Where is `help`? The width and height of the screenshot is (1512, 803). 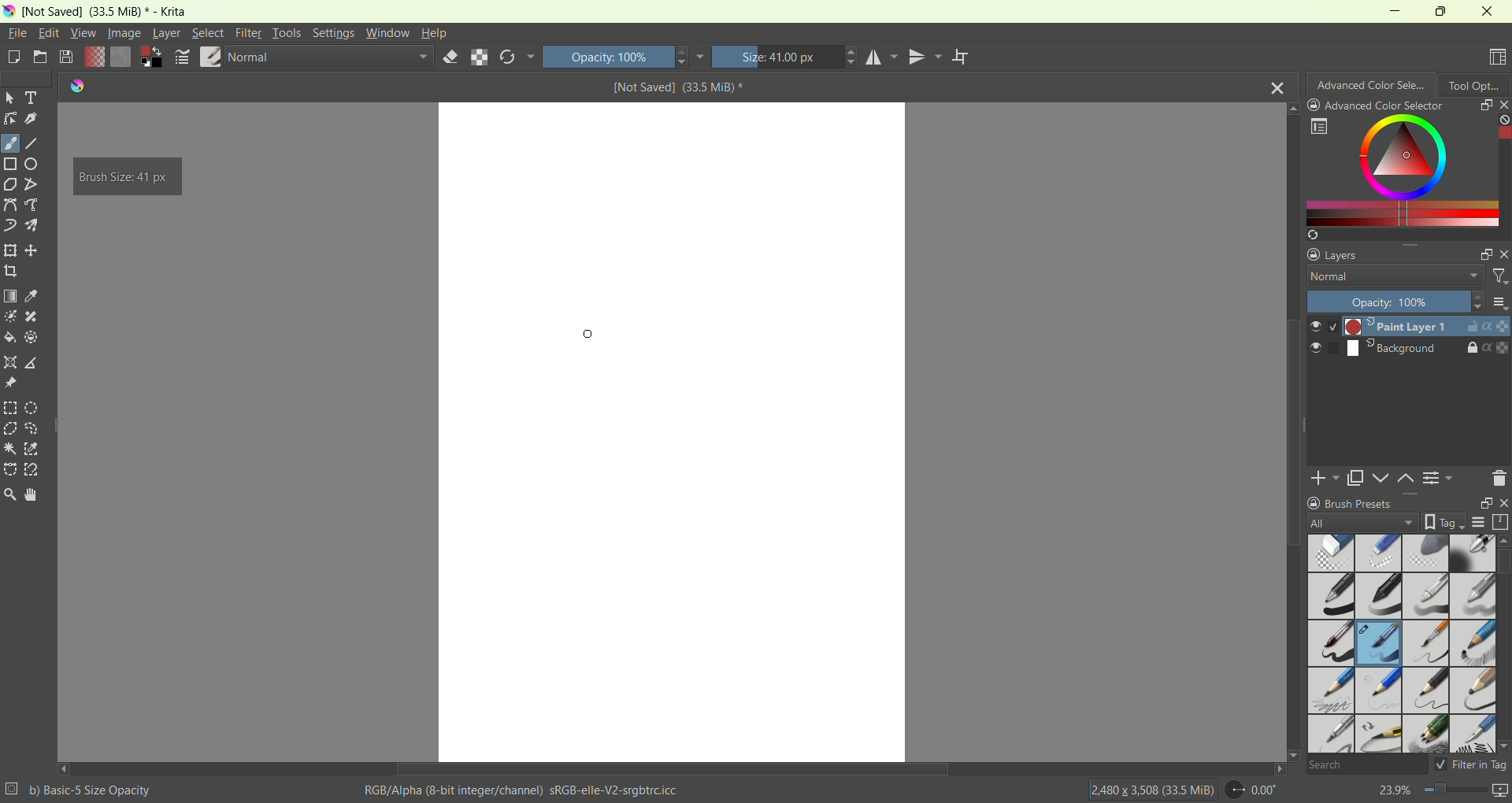
help is located at coordinates (435, 35).